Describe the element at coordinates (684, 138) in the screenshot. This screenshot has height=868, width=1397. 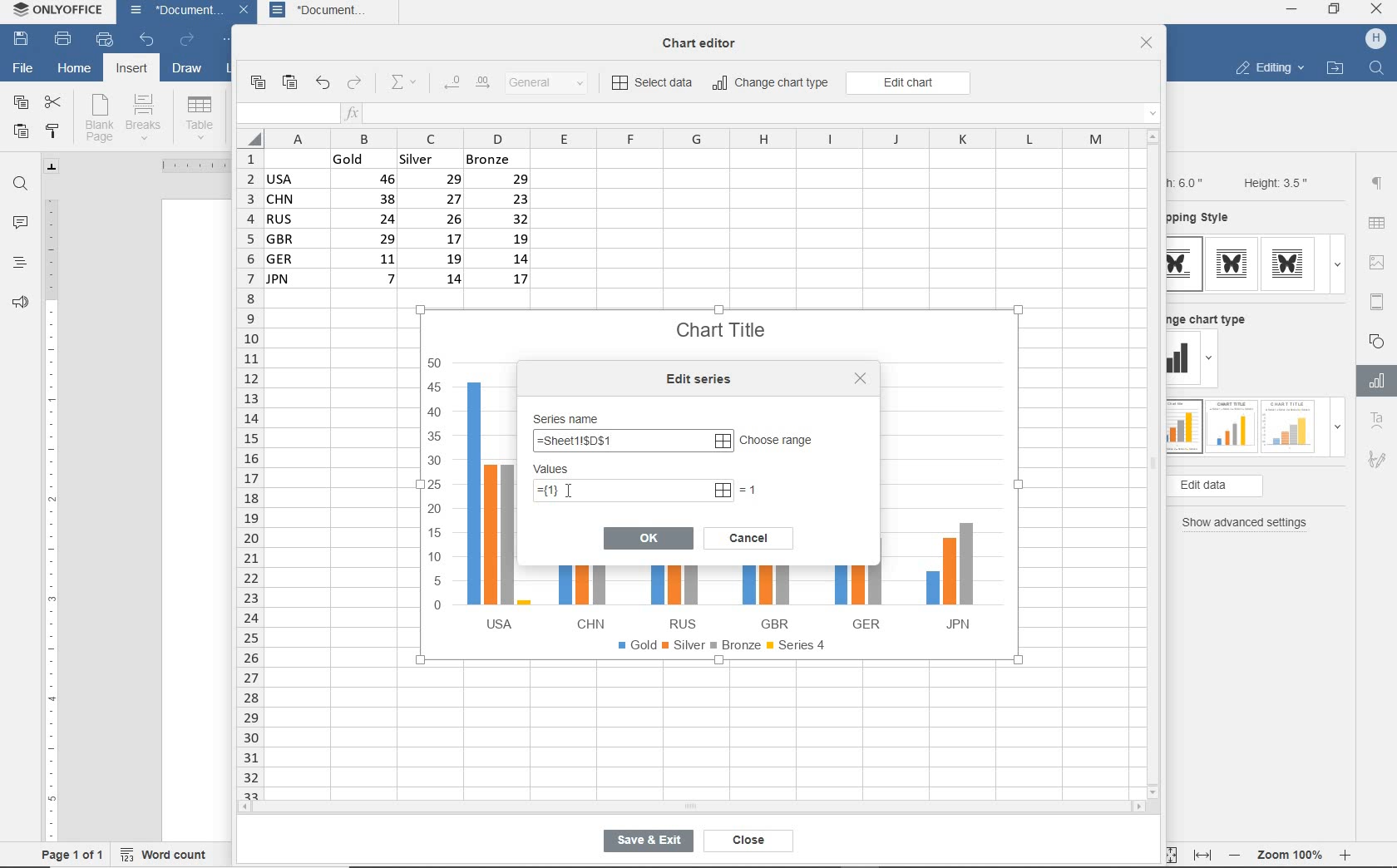
I see `columns` at that location.